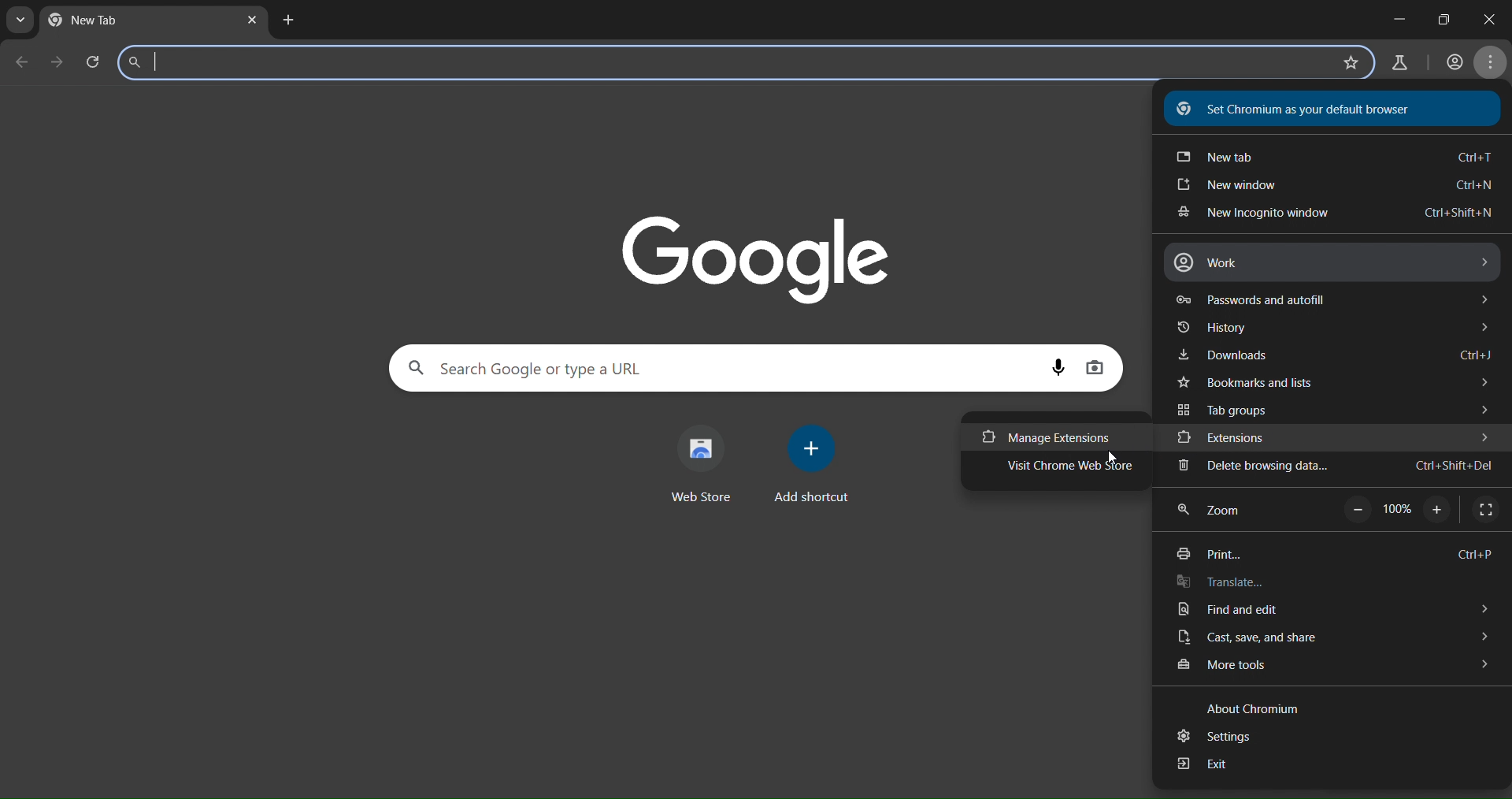 Image resolution: width=1512 pixels, height=799 pixels. I want to click on tab groups, so click(1338, 410).